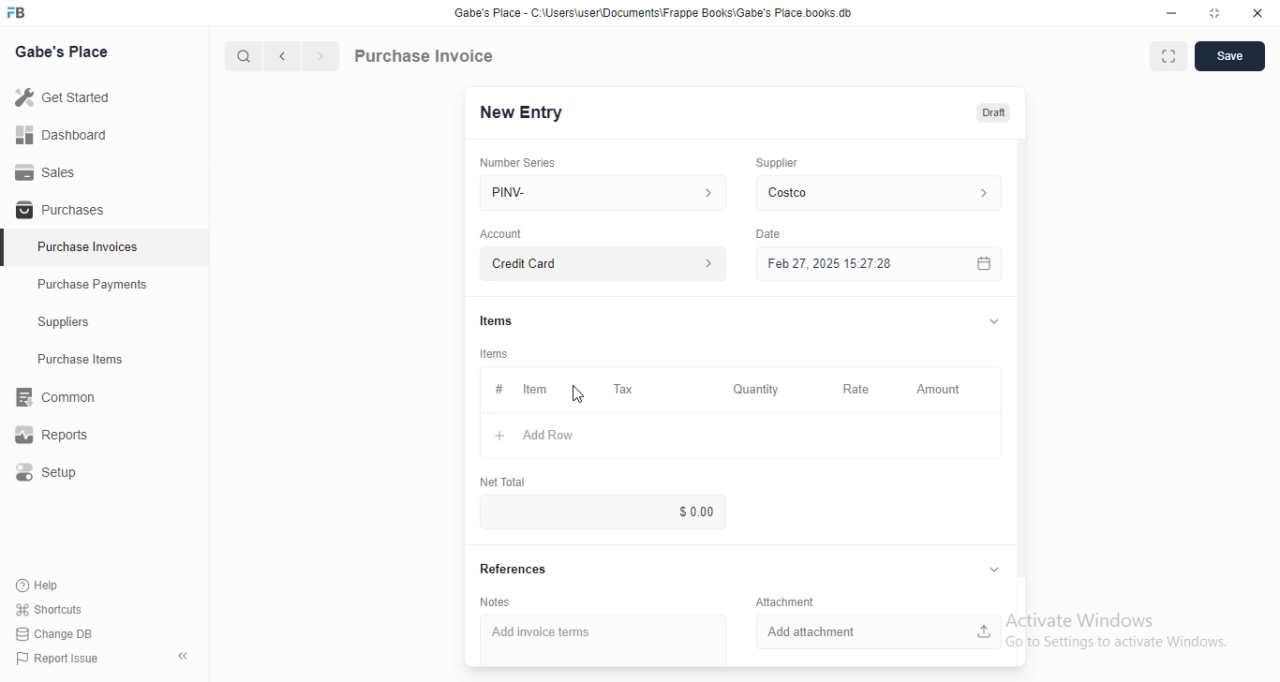  What do you see at coordinates (15, 12) in the screenshot?
I see `Frappe Books logo` at bounding box center [15, 12].